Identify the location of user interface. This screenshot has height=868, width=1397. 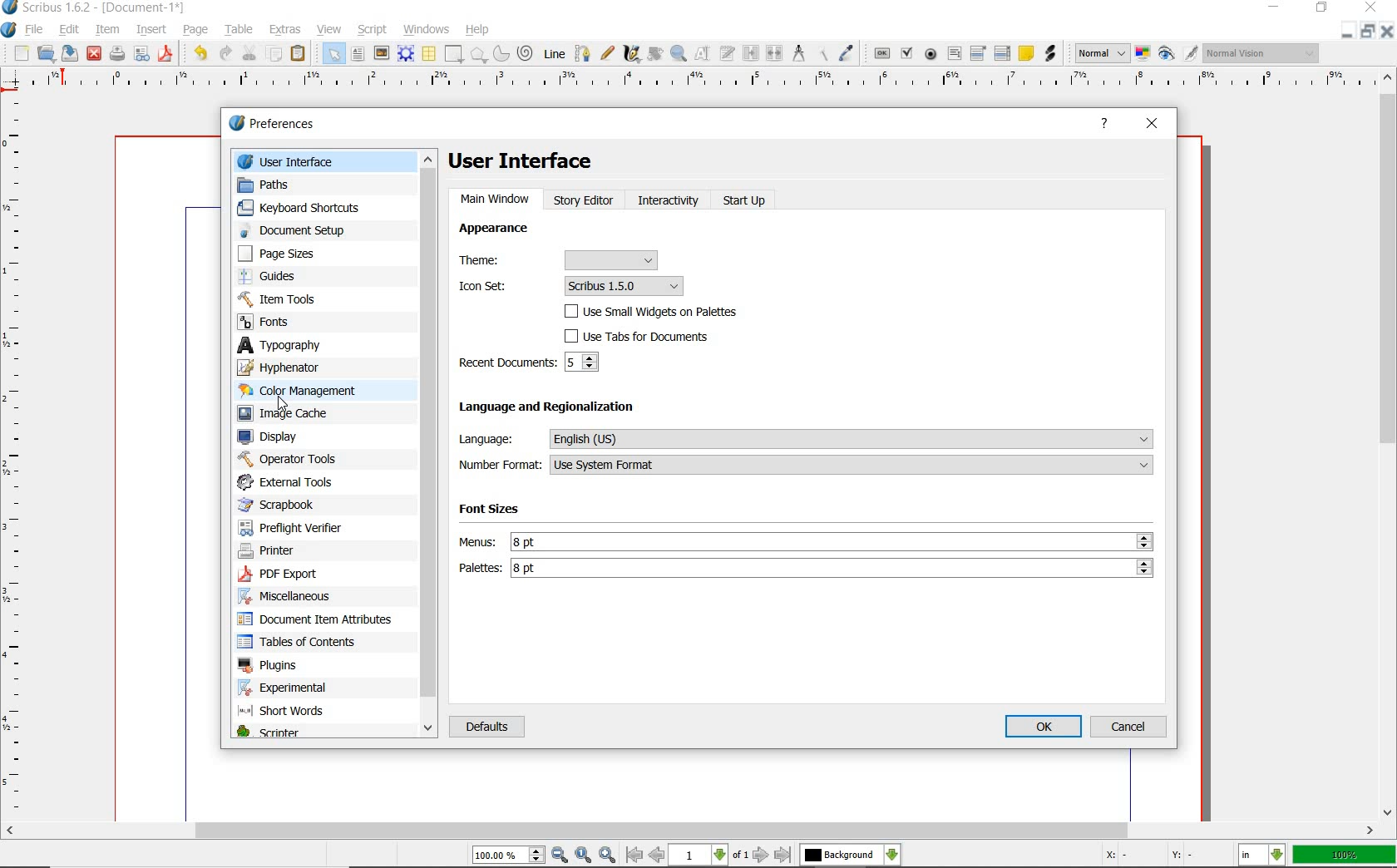
(298, 160).